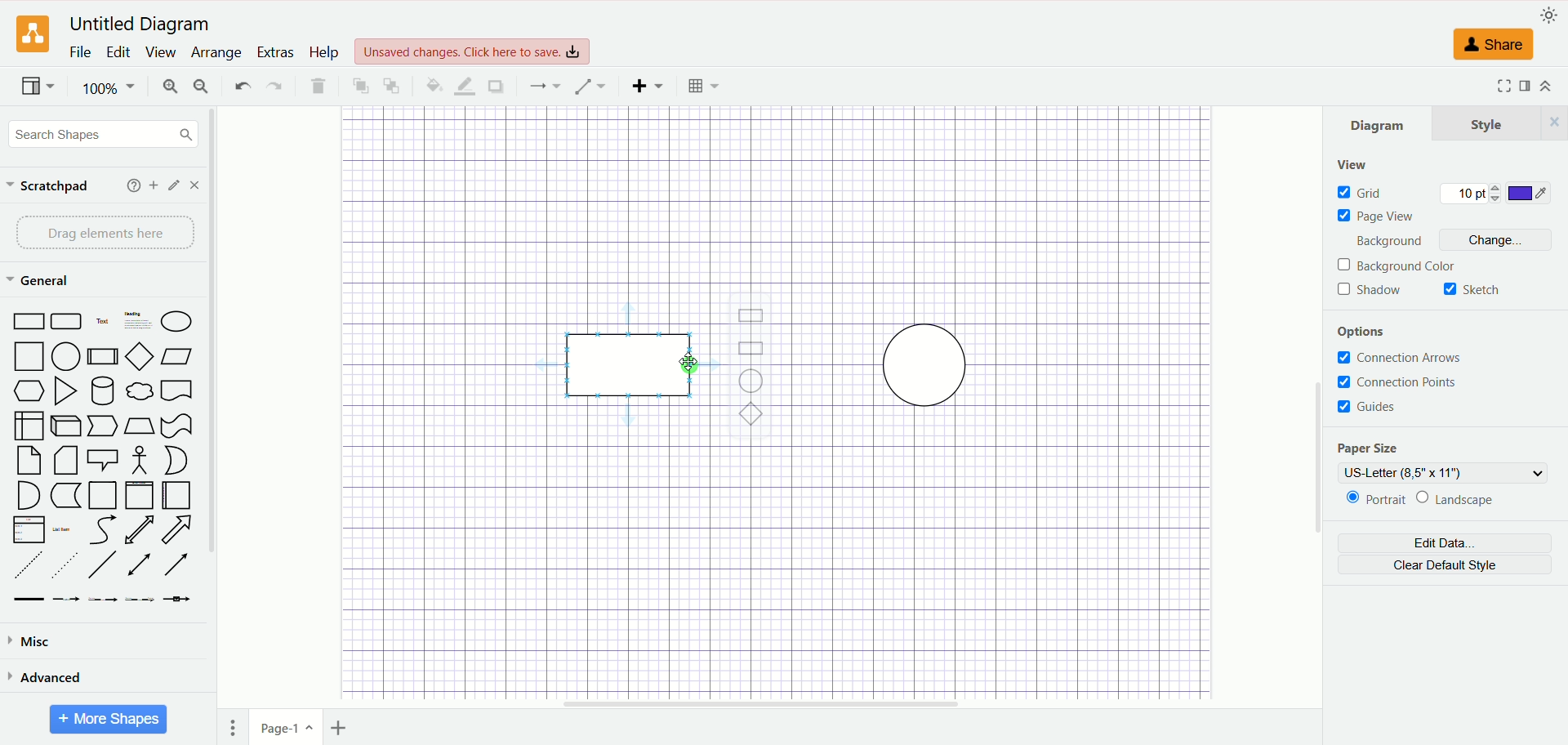 The image size is (1568, 745). What do you see at coordinates (29, 392) in the screenshot?
I see `Hexagon` at bounding box center [29, 392].